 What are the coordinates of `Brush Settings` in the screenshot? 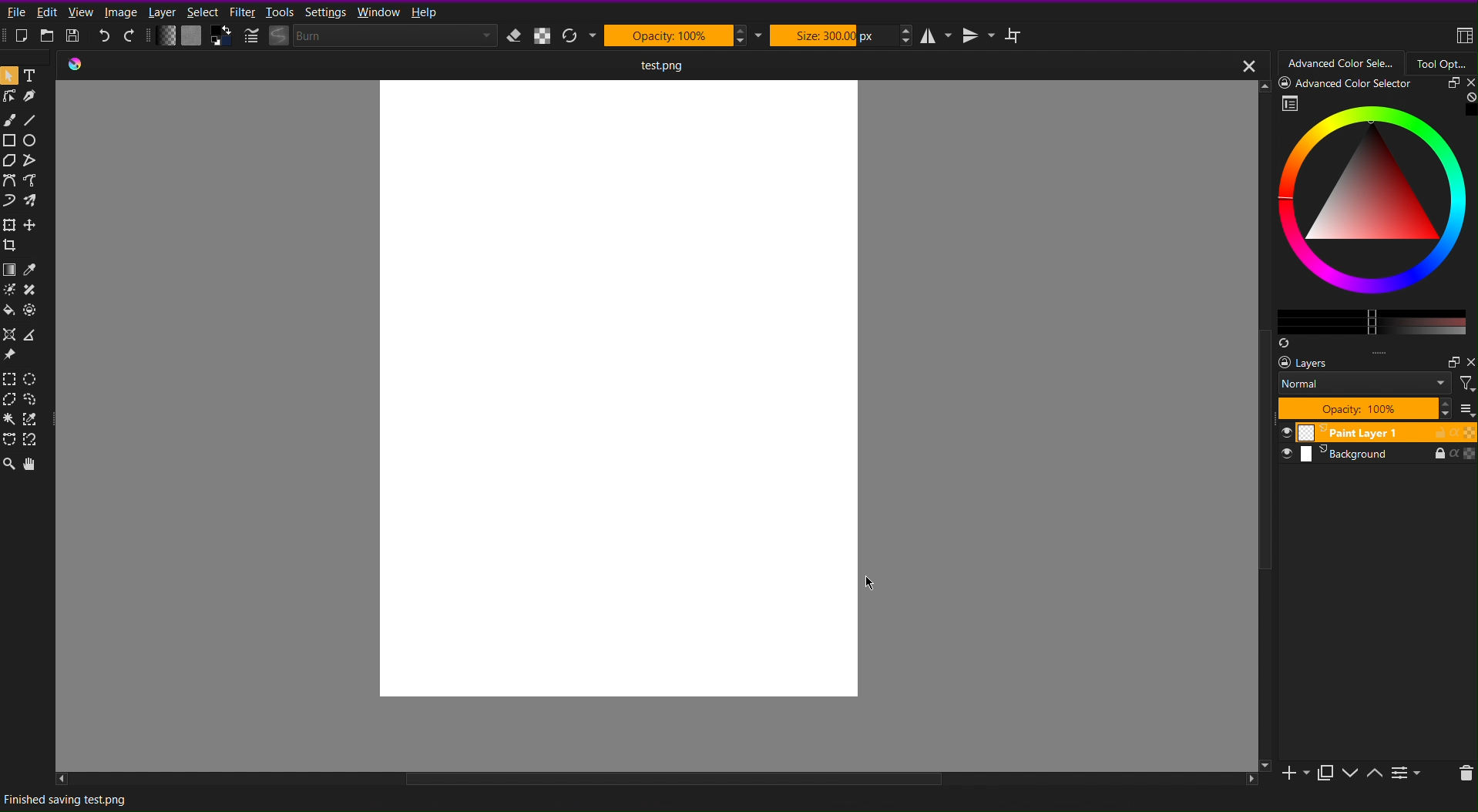 It's located at (368, 37).